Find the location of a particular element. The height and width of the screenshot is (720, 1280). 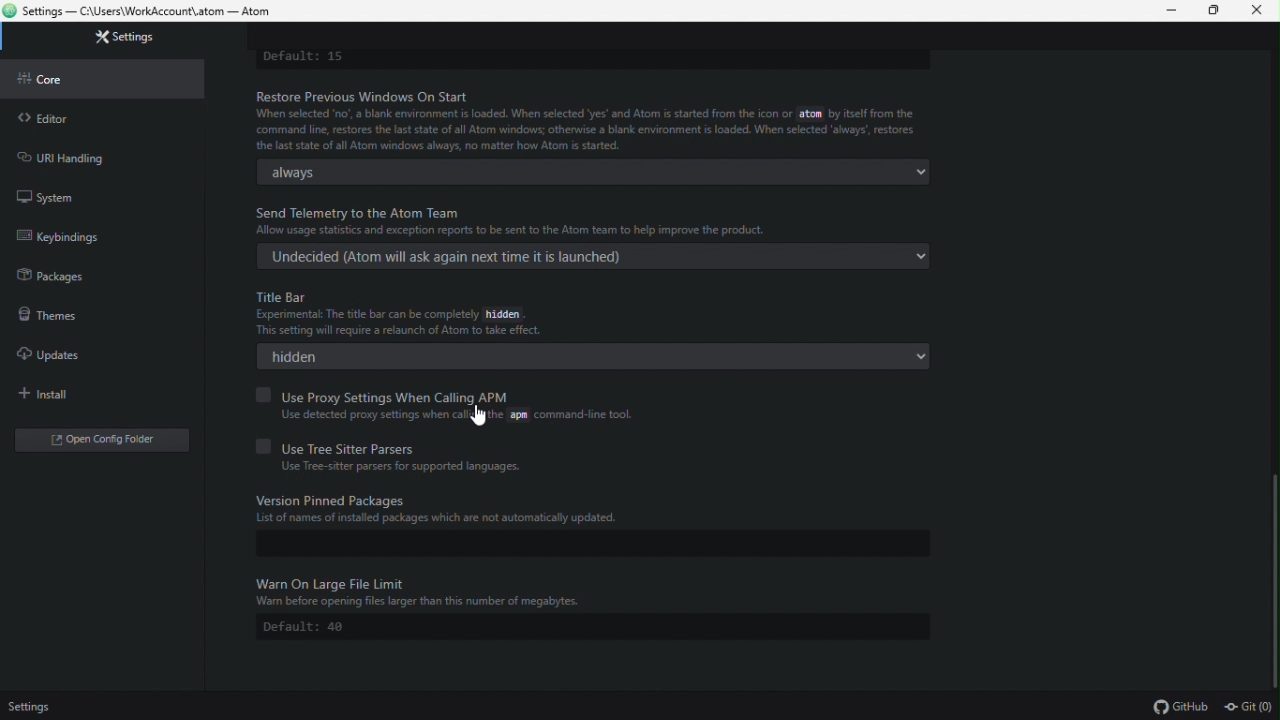

Send Telemetry to the Atom Team
Allow usage statistics and exception reports to be sent to the Atom team to help improve the product. is located at coordinates (521, 222).